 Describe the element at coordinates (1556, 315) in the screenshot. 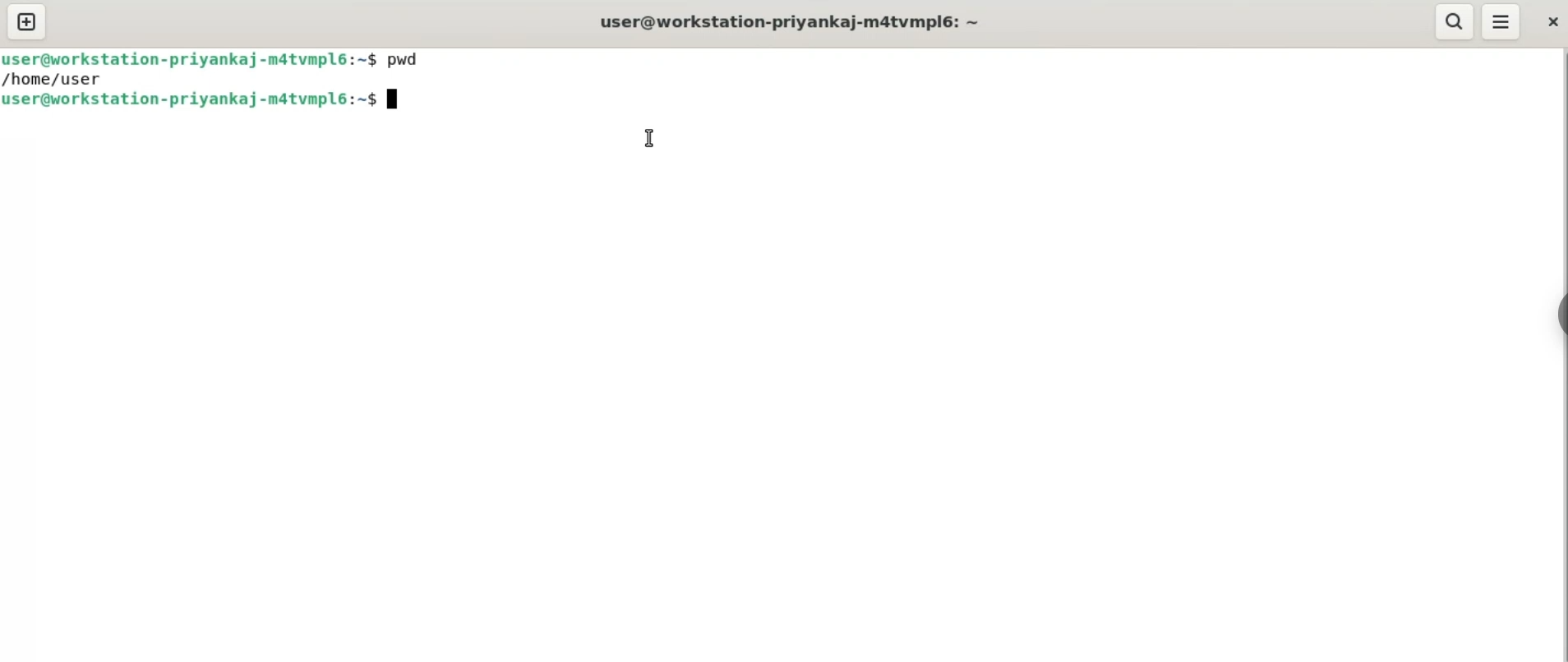

I see `sidebar` at that location.